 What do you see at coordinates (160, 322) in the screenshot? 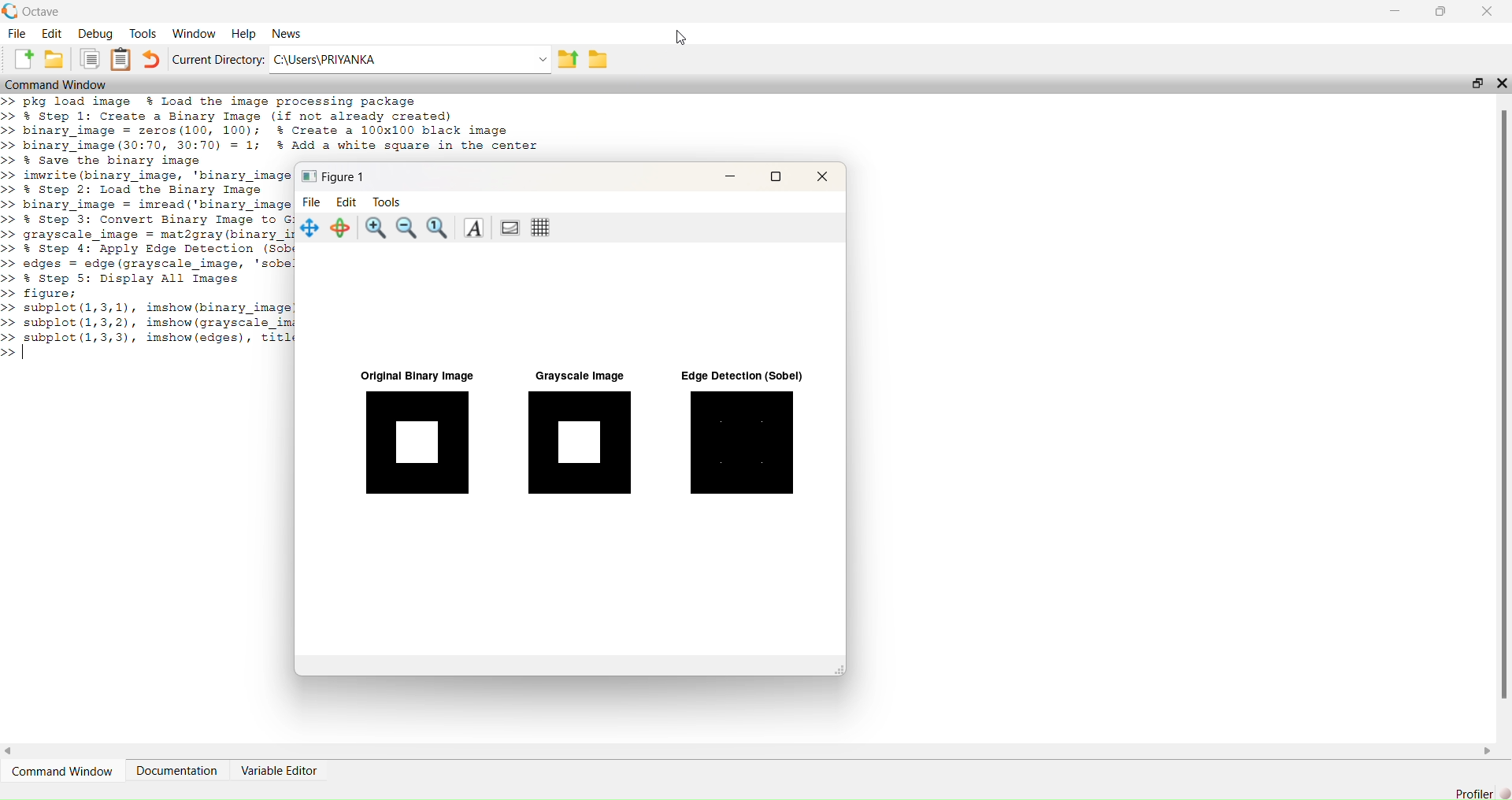
I see `subplot (1,3,2), imshow(grayscale imi` at bounding box center [160, 322].